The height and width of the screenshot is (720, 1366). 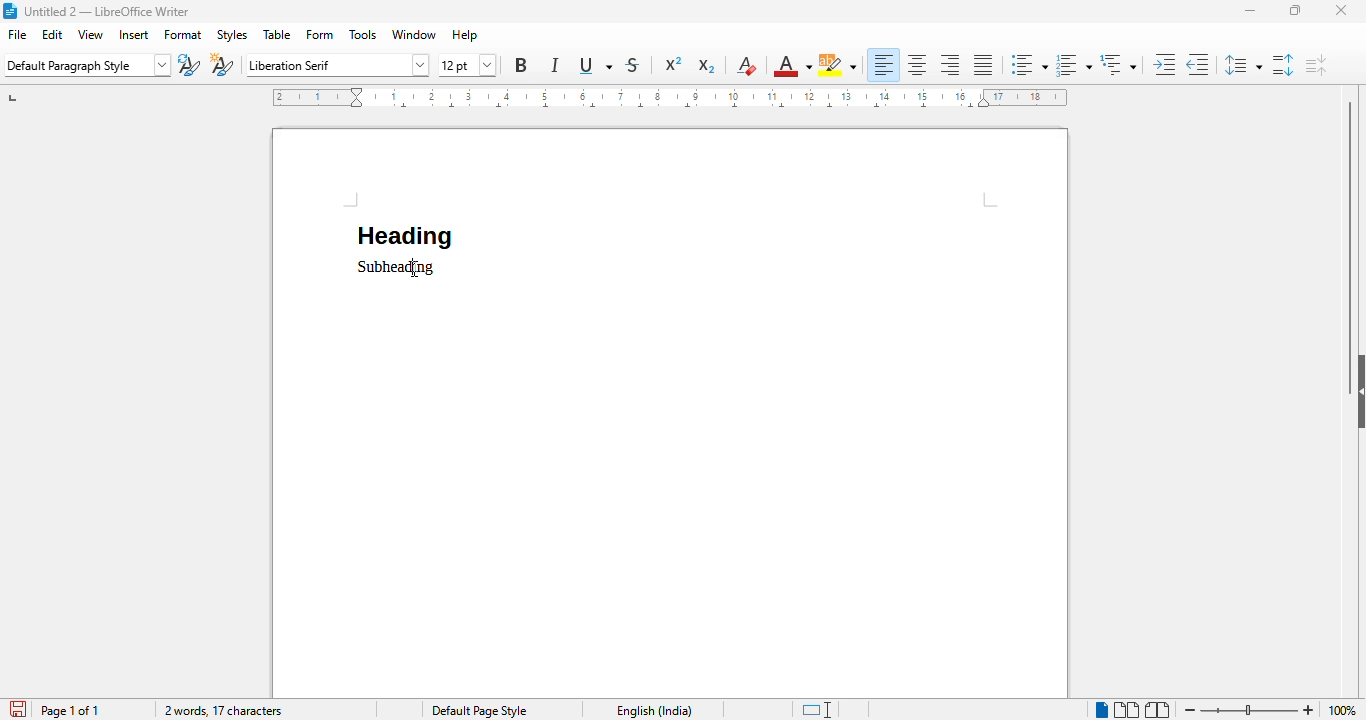 What do you see at coordinates (633, 66) in the screenshot?
I see `strikethrough` at bounding box center [633, 66].